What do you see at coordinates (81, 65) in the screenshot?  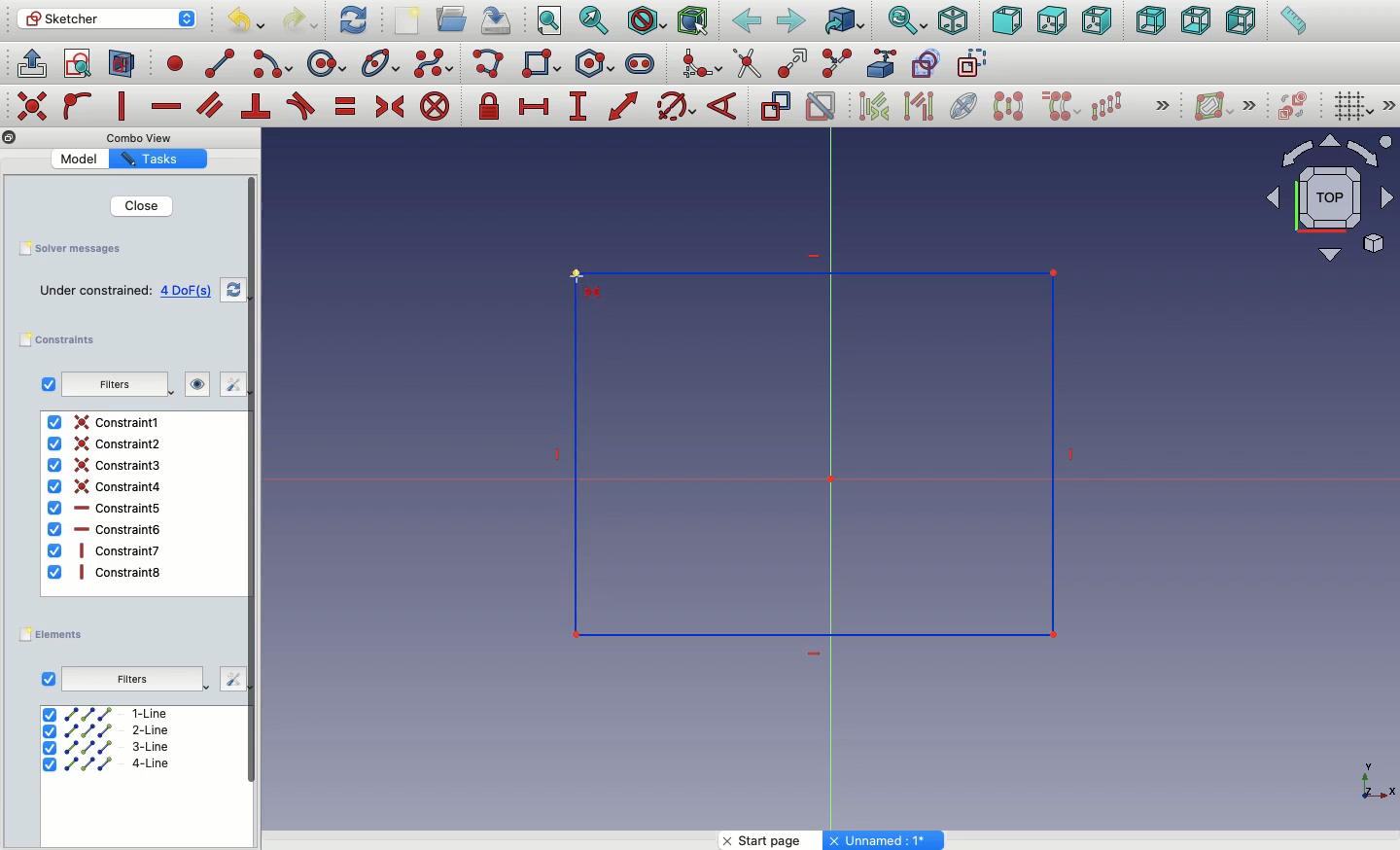 I see `view sketch` at bounding box center [81, 65].